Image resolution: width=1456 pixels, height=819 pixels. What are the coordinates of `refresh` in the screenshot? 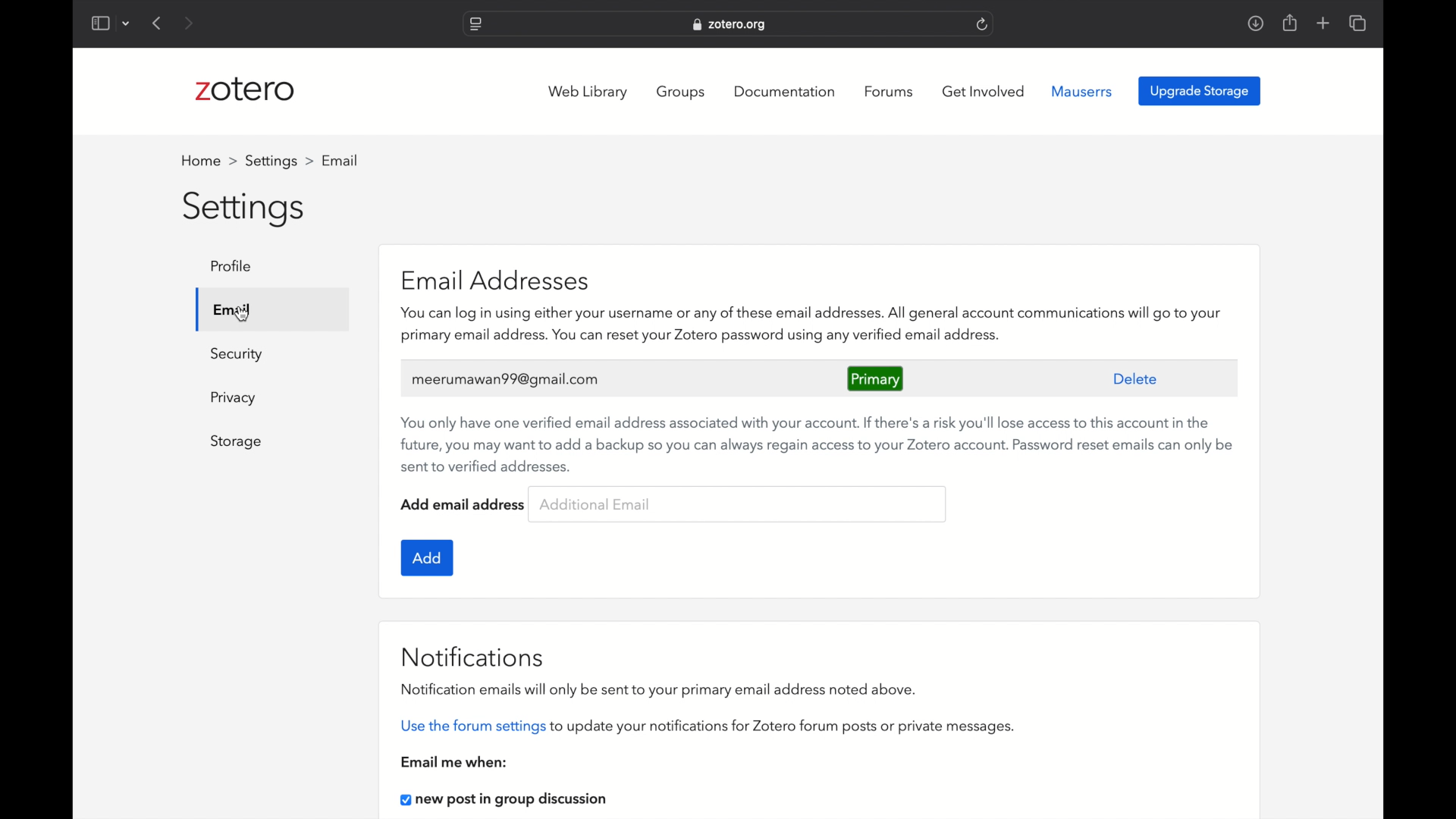 It's located at (983, 24).